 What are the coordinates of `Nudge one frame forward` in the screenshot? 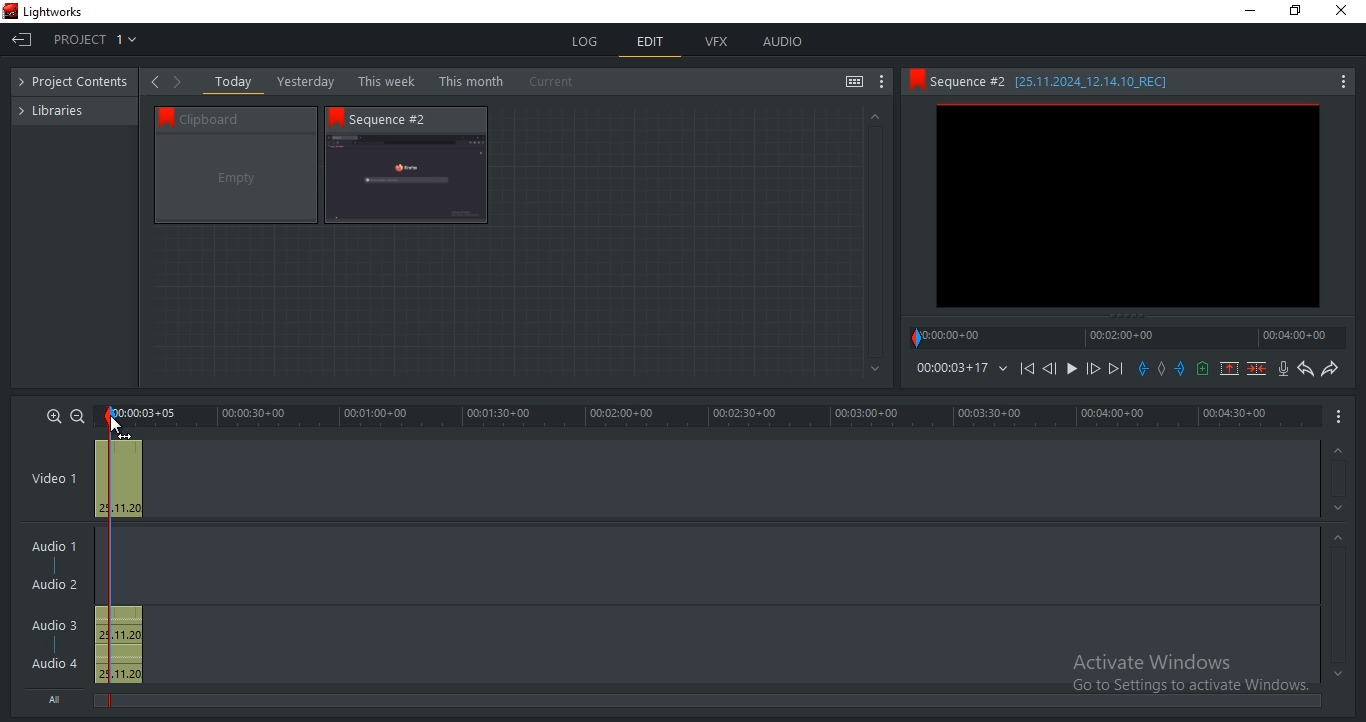 It's located at (1091, 369).